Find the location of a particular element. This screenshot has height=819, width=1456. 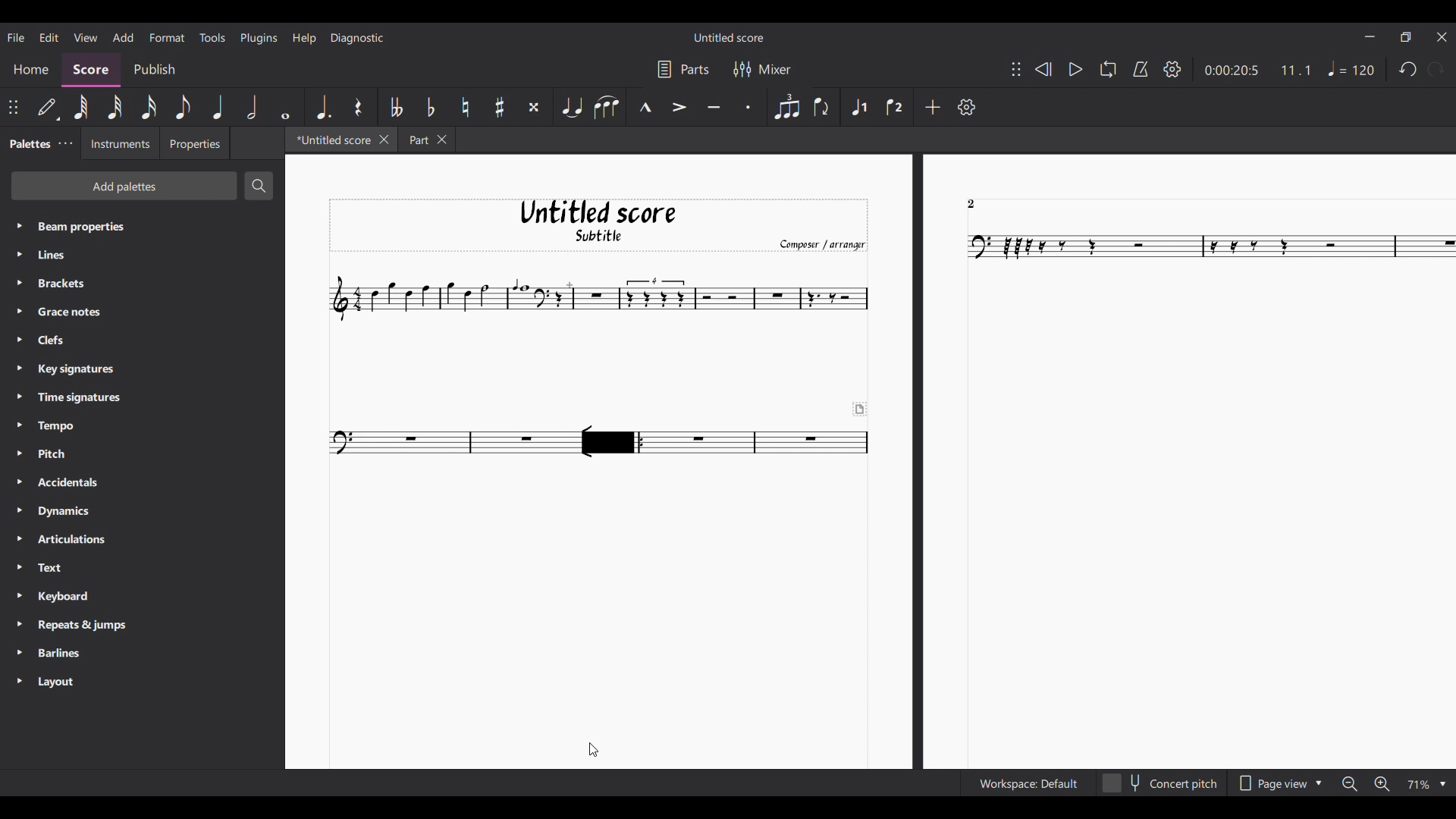

Staccato is located at coordinates (749, 106).